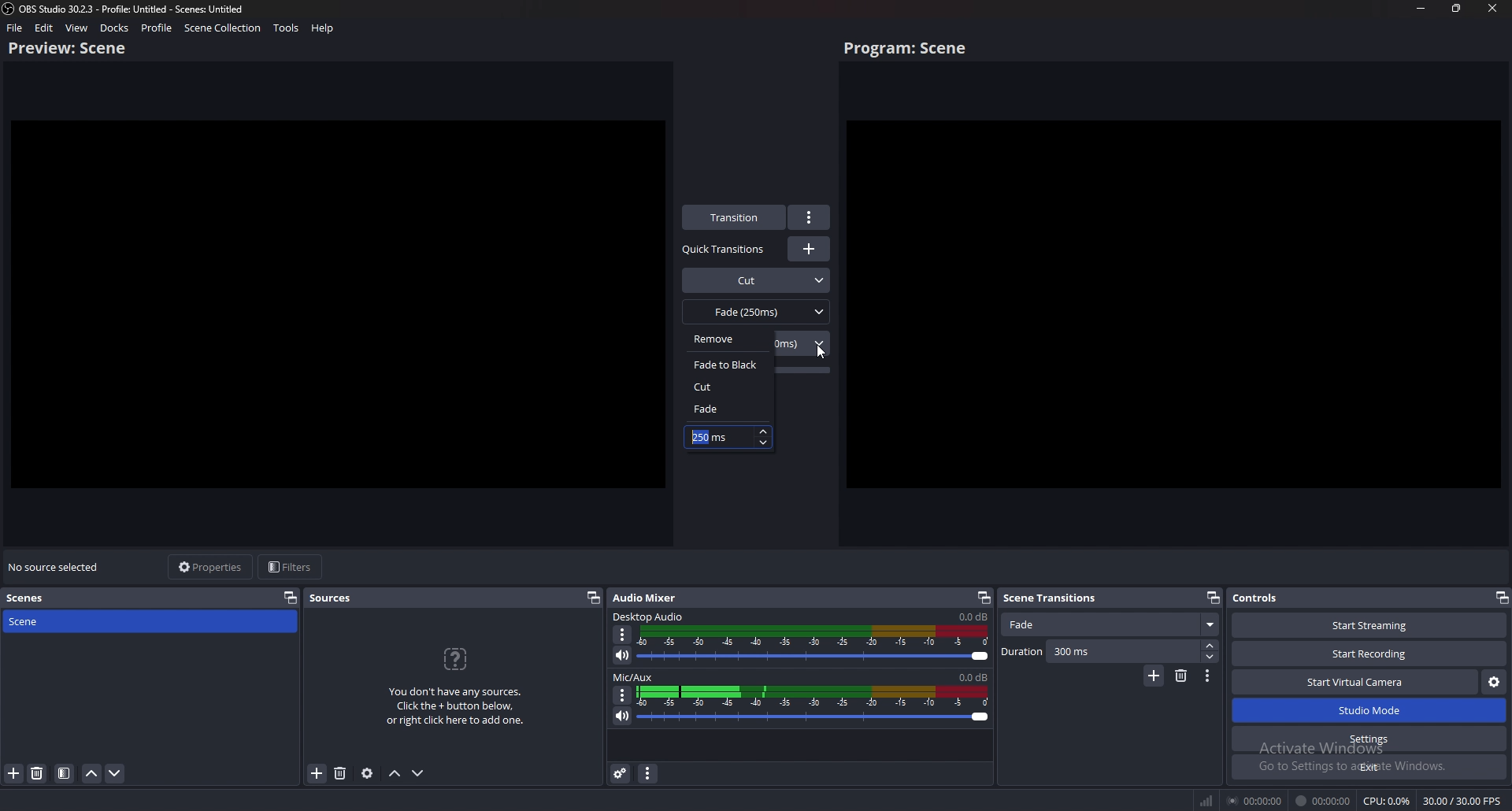  Describe the element at coordinates (733, 339) in the screenshot. I see `remove` at that location.